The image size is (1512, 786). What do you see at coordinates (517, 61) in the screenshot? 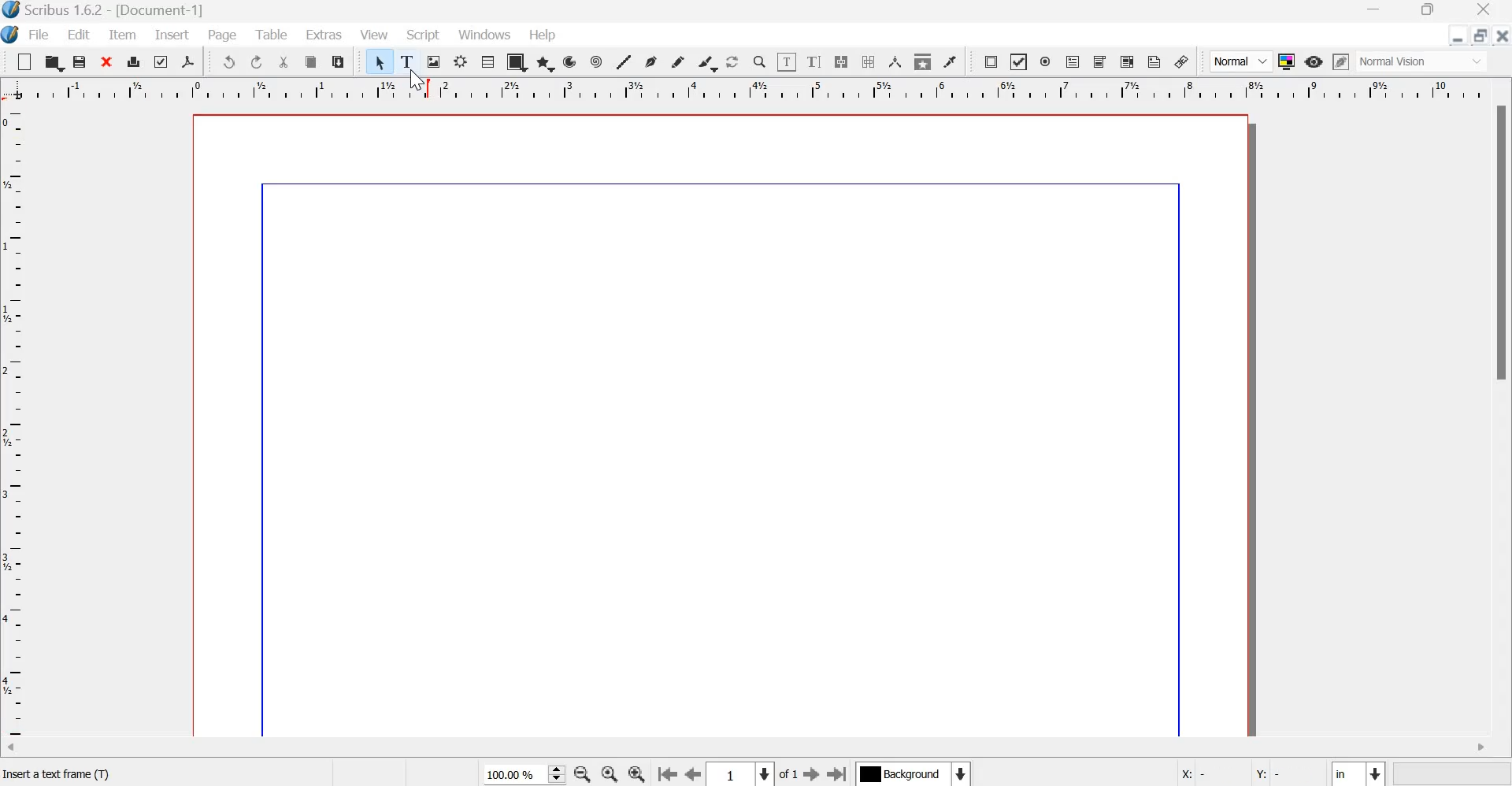
I see `shape` at bounding box center [517, 61].